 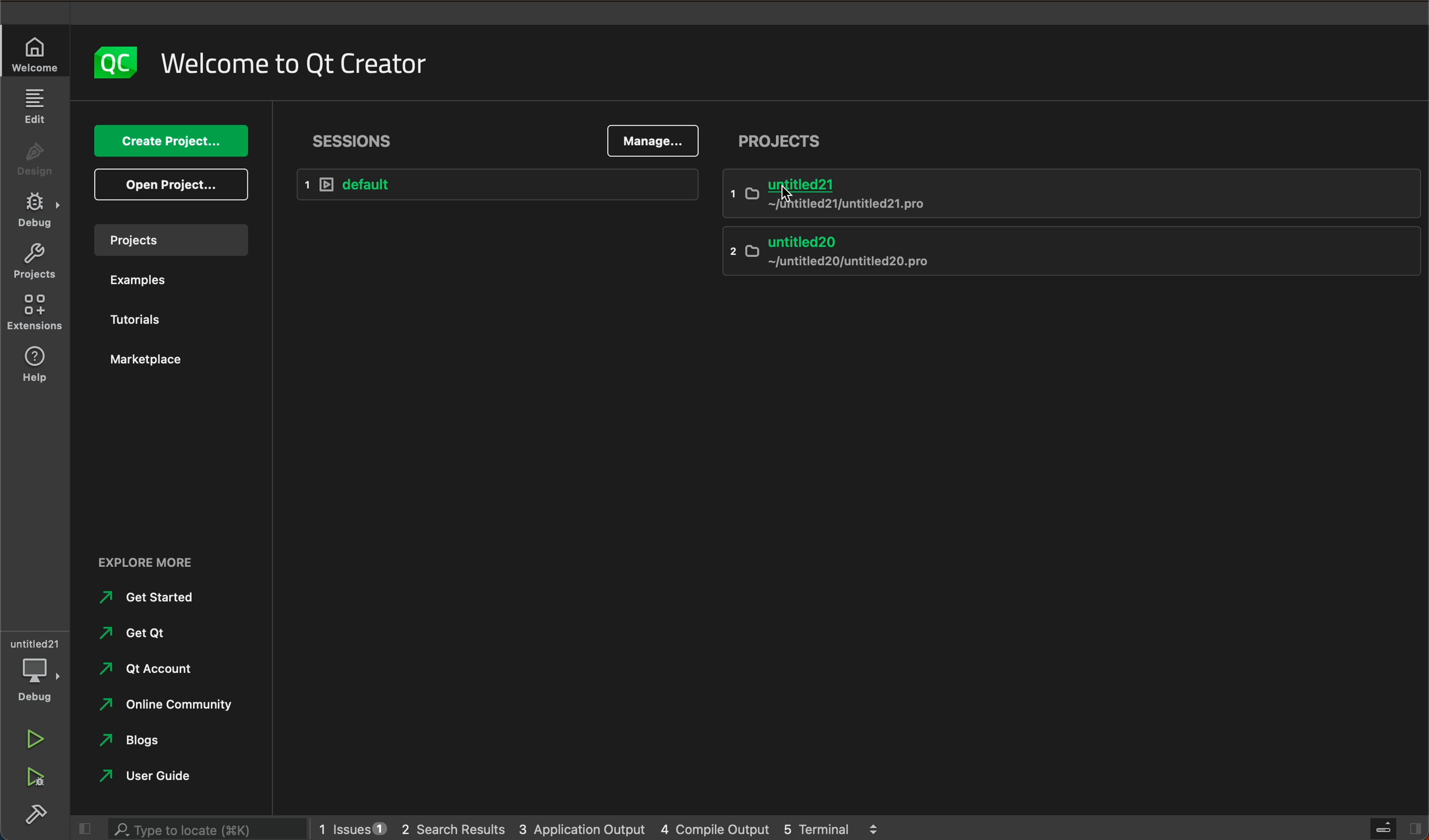 I want to click on debug, so click(x=34, y=686).